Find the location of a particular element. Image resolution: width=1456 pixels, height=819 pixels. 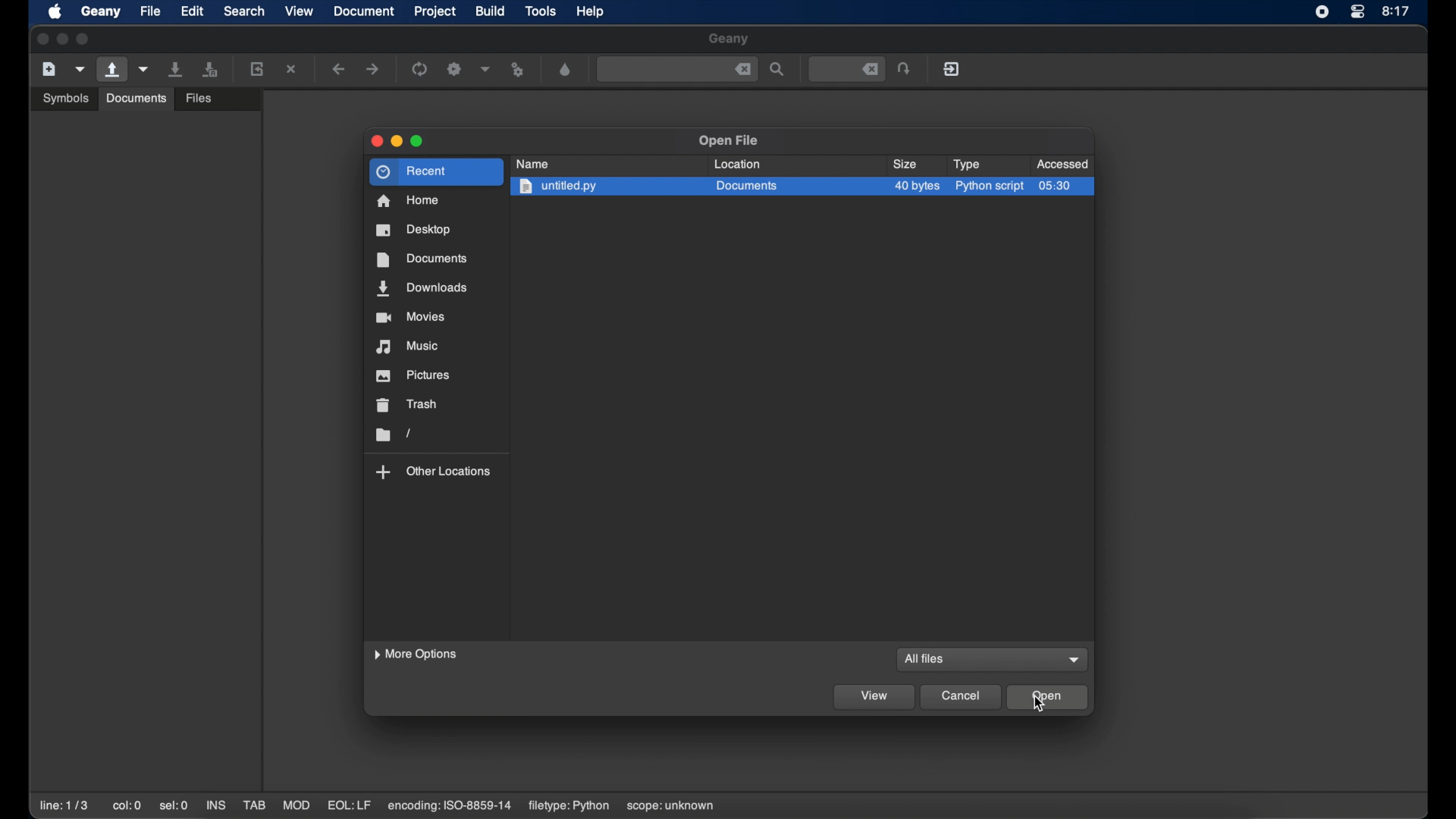

ins is located at coordinates (215, 805).